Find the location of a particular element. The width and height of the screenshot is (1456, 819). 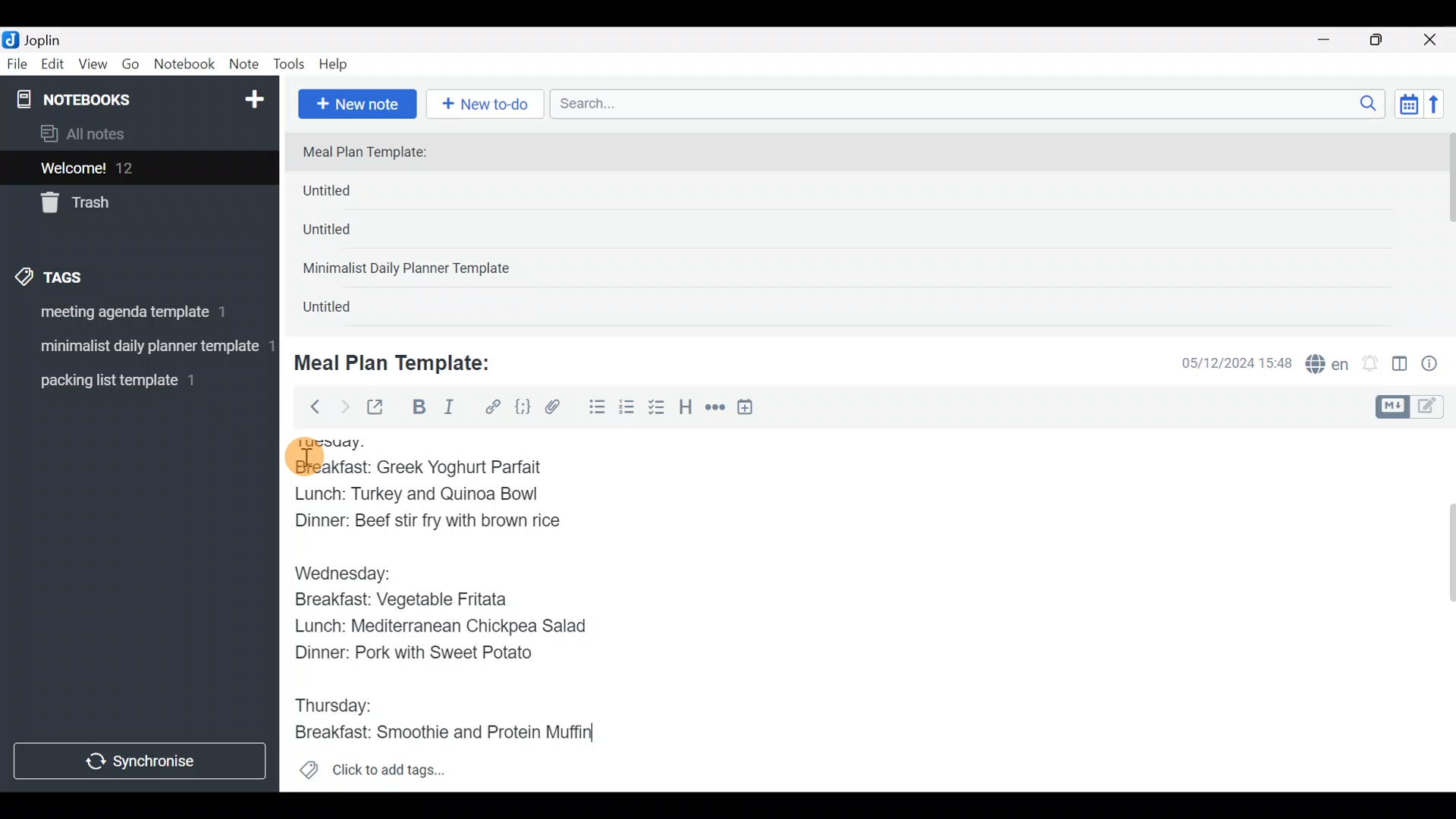

Breakfast: Vegetable Fritata is located at coordinates (419, 600).